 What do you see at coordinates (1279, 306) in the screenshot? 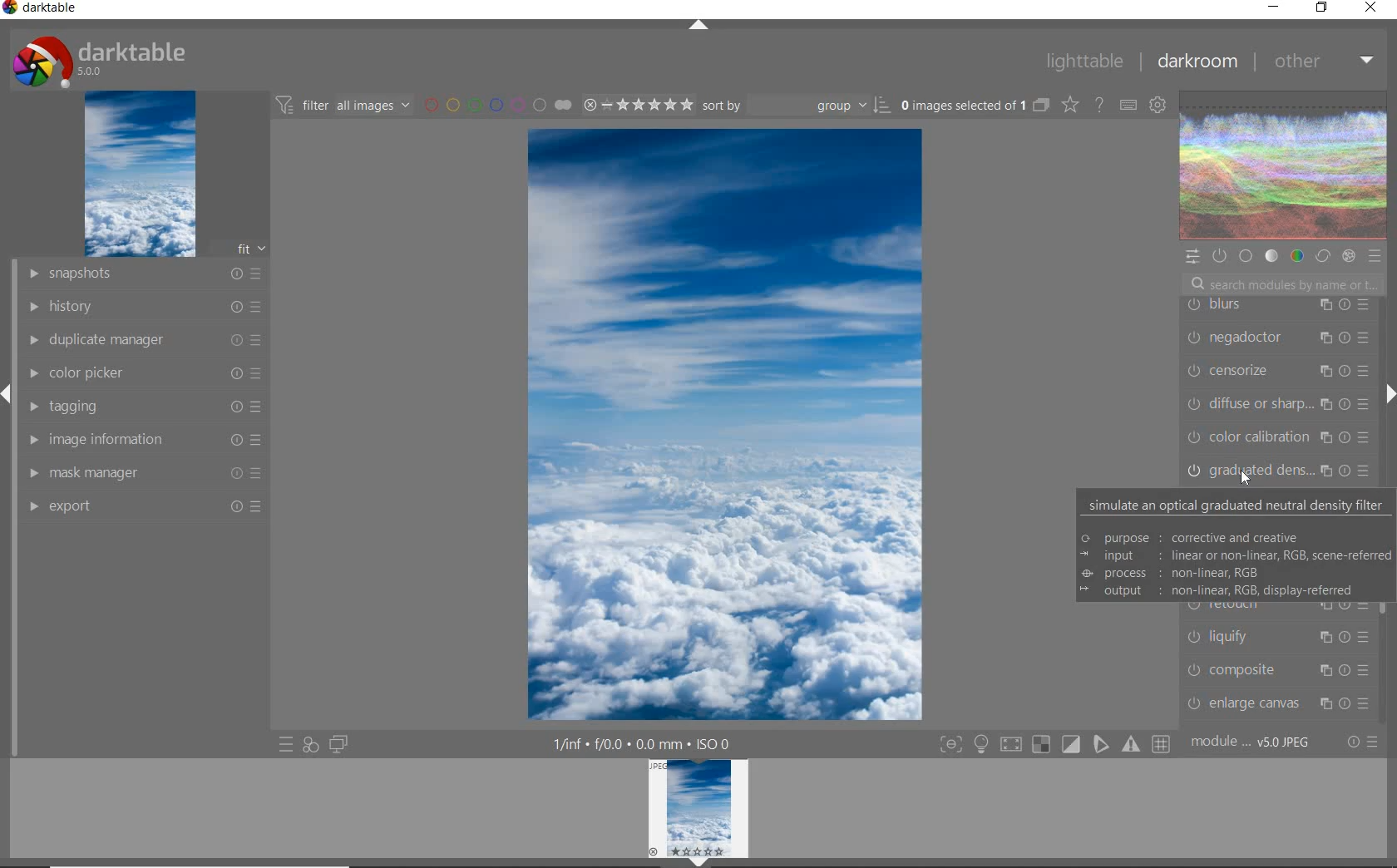
I see `Blur` at bounding box center [1279, 306].